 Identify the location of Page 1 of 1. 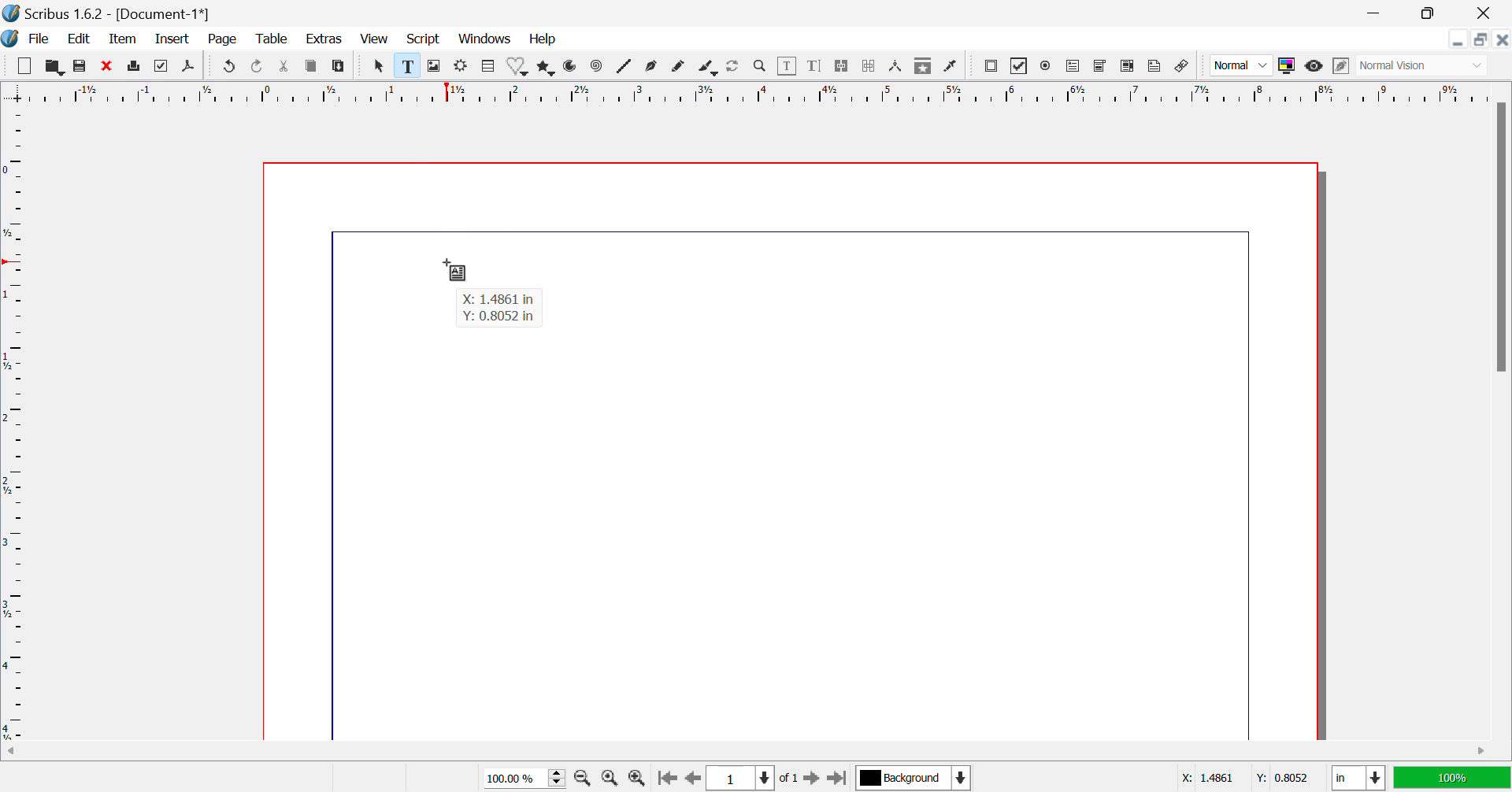
(752, 777).